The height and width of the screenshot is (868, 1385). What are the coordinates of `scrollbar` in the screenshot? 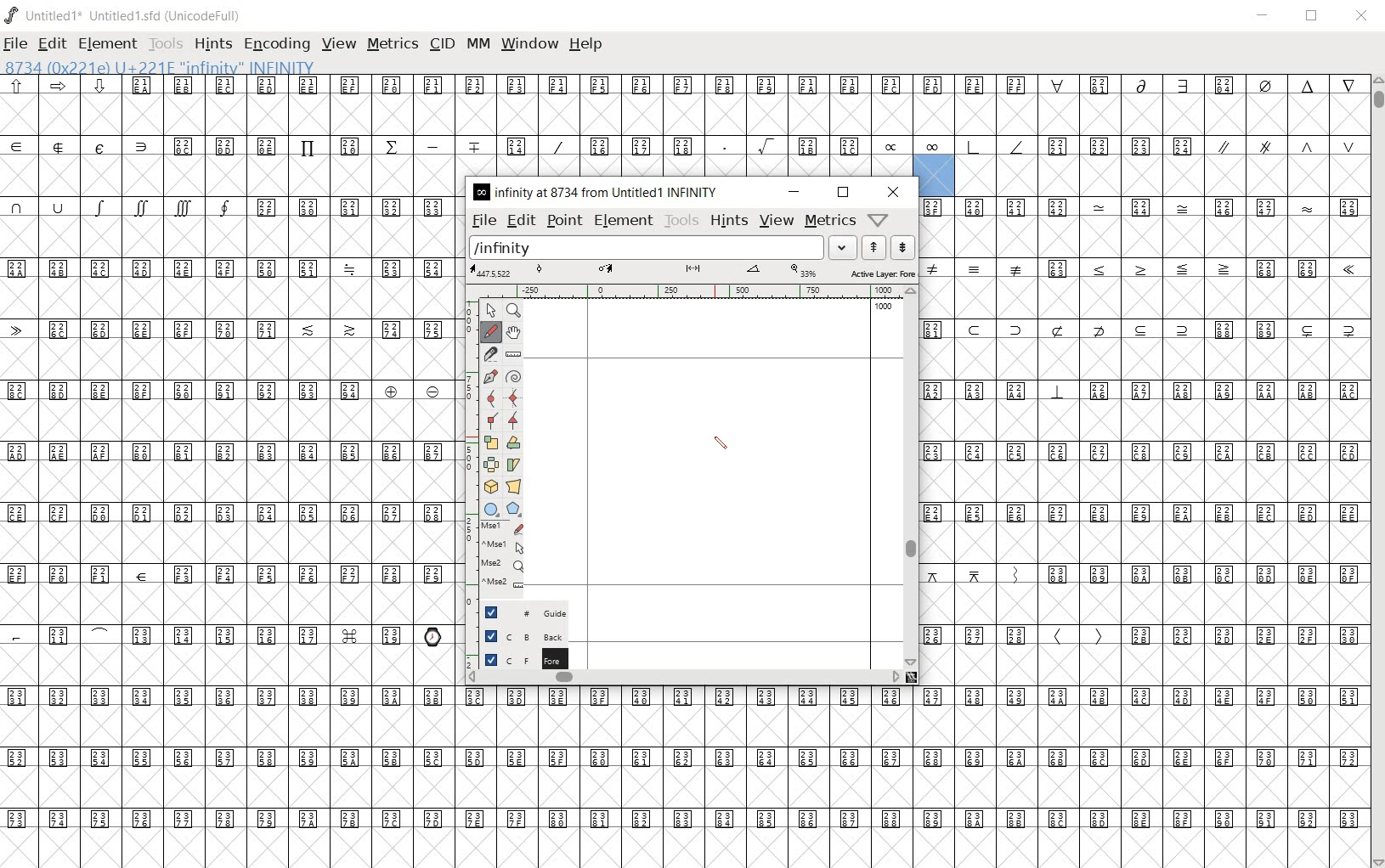 It's located at (1377, 470).